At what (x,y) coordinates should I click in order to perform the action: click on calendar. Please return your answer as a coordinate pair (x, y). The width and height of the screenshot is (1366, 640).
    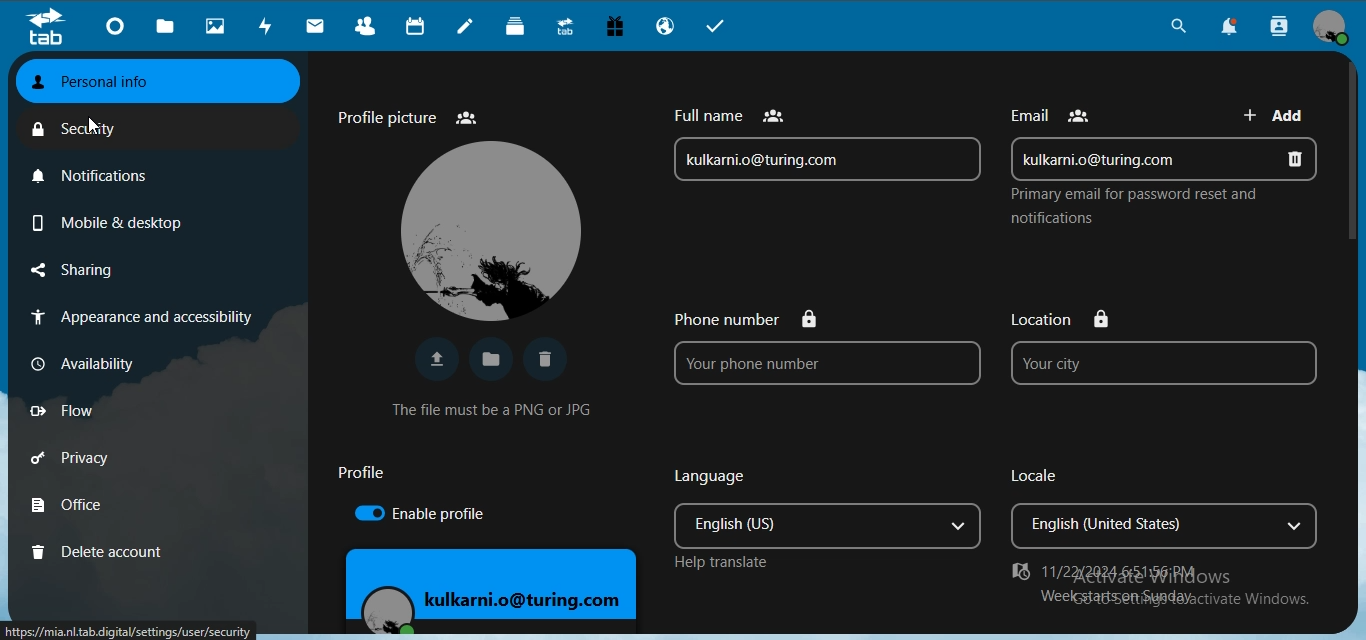
    Looking at the image, I should click on (413, 27).